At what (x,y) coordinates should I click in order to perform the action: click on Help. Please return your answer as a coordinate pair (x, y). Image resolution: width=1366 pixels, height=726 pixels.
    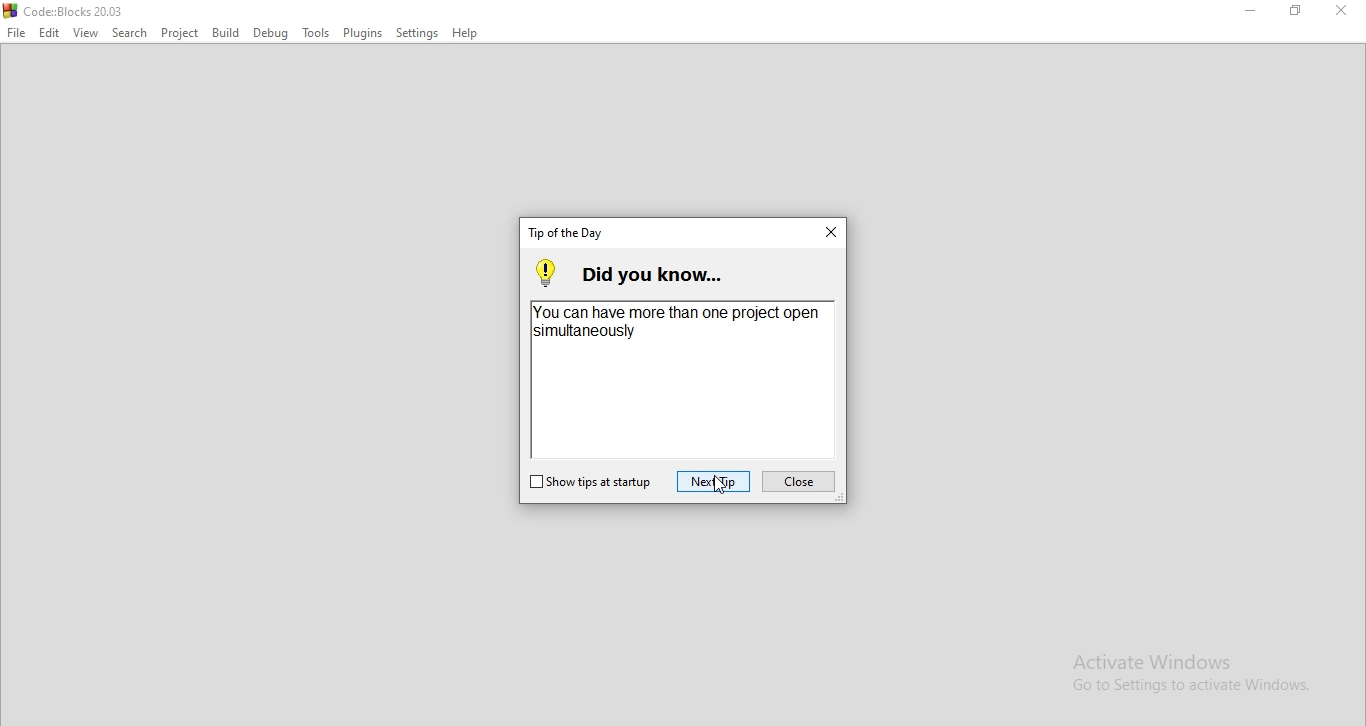
    Looking at the image, I should click on (469, 35).